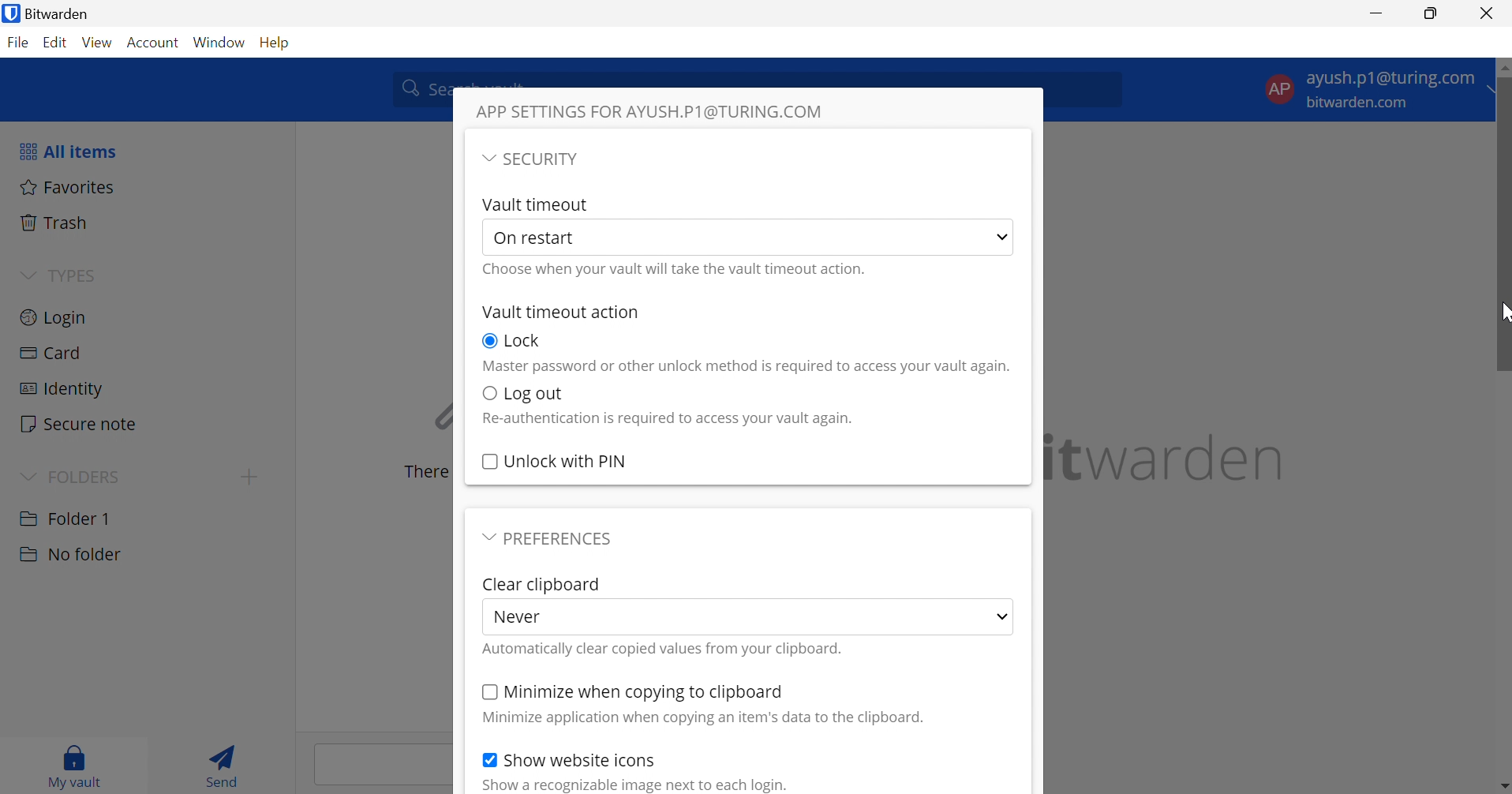 This screenshot has width=1512, height=794. Describe the element at coordinates (746, 367) in the screenshot. I see `Master password or other method is required to access your vault again.` at that location.